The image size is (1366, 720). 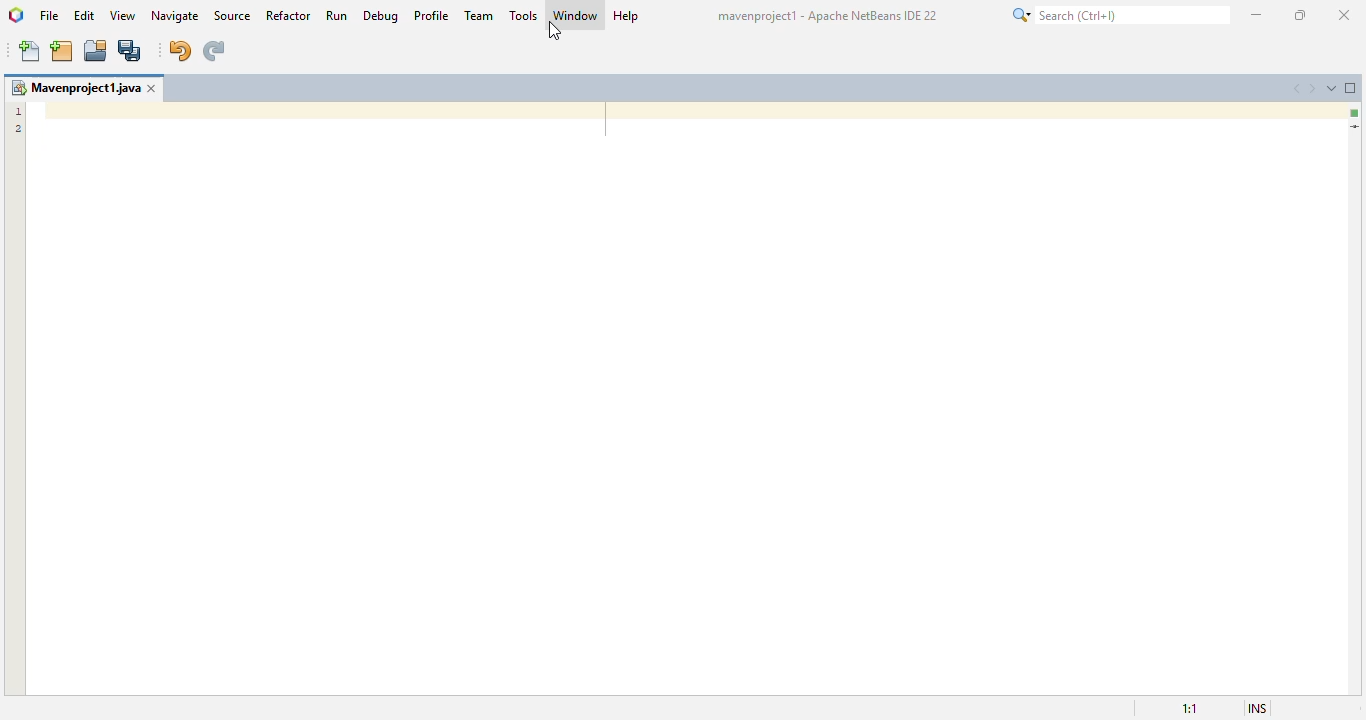 What do you see at coordinates (19, 131) in the screenshot?
I see `2` at bounding box center [19, 131].